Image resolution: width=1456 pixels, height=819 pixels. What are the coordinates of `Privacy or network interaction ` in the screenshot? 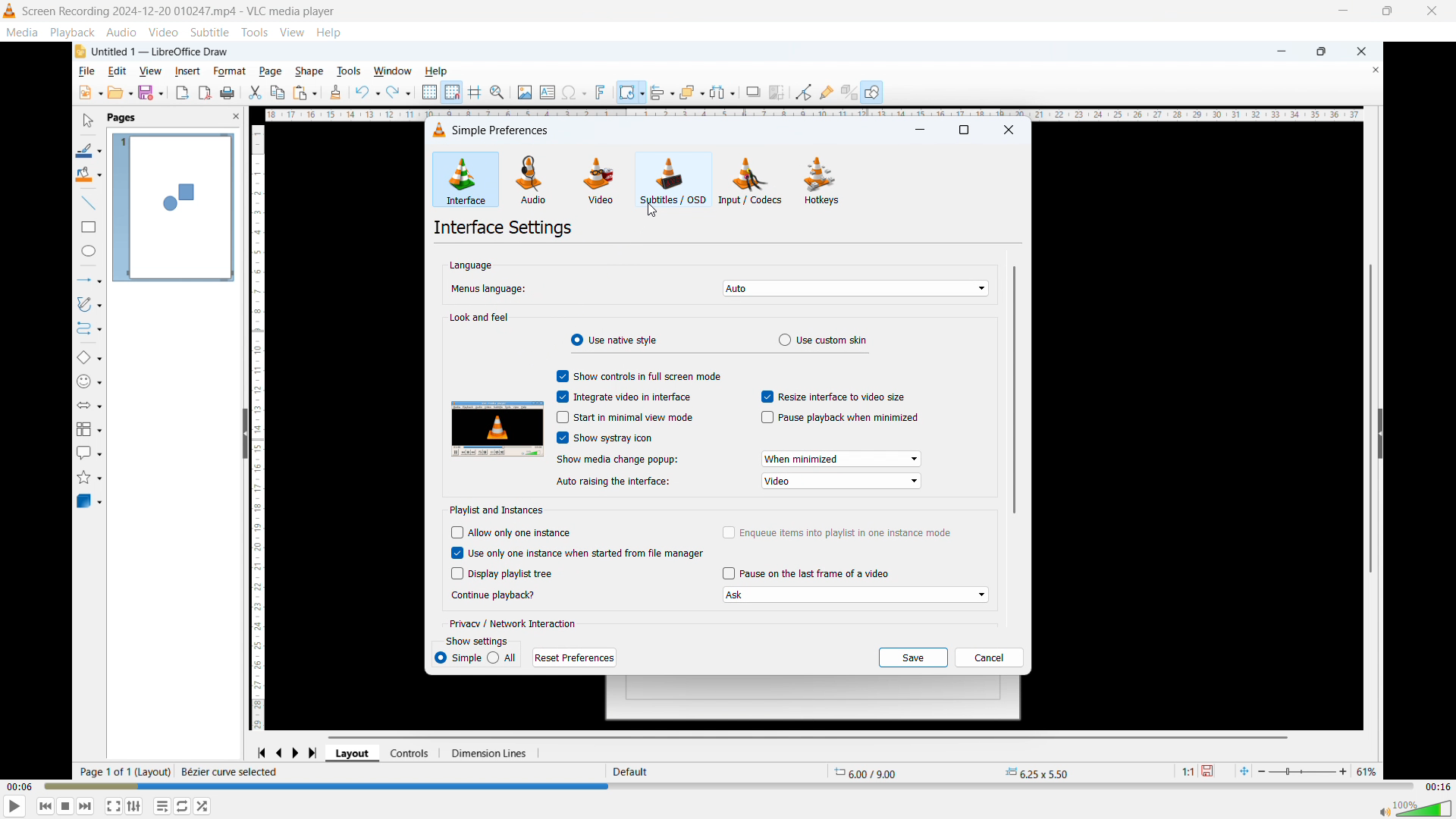 It's located at (510, 623).